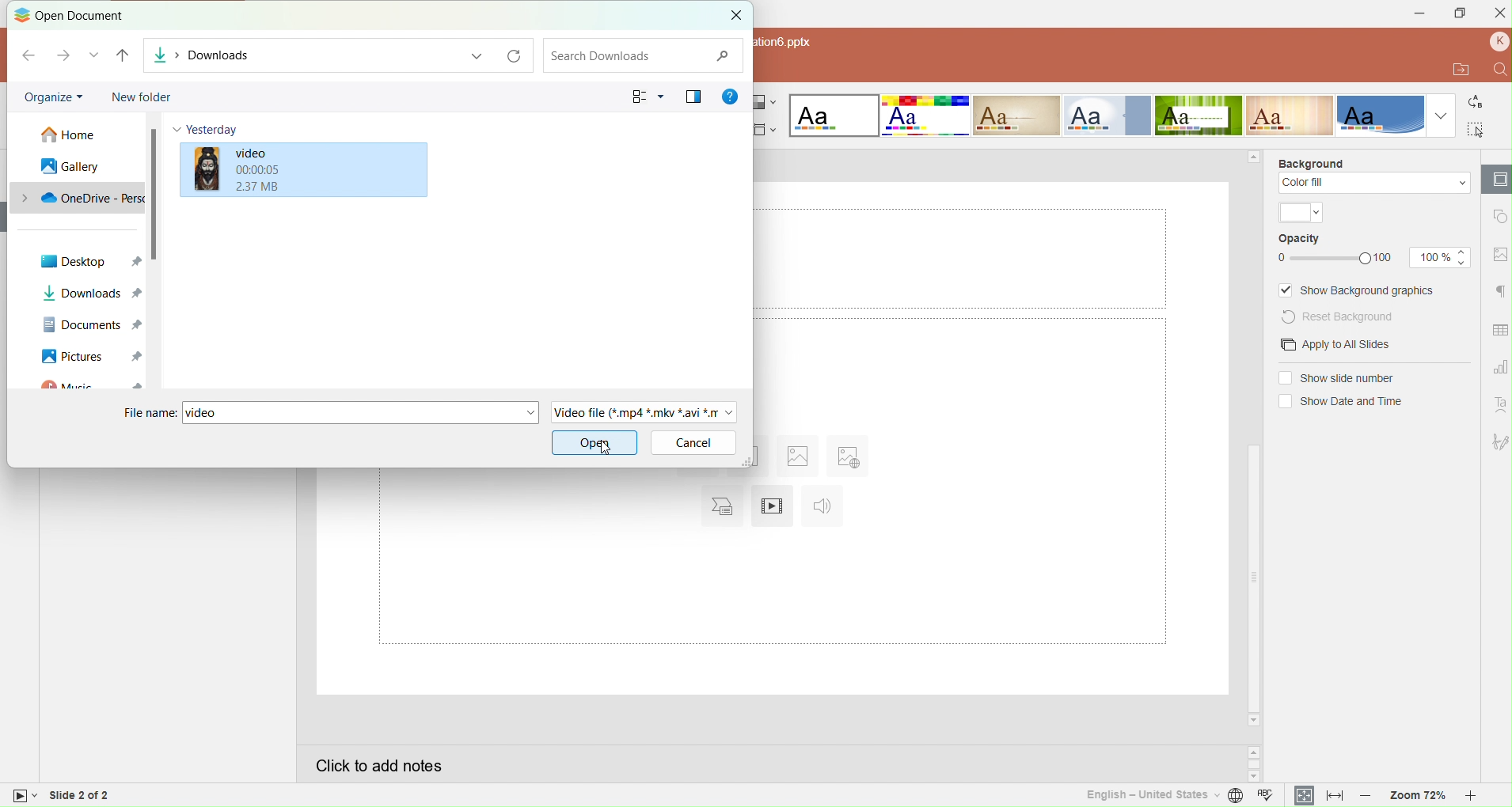  I want to click on Change your view, so click(647, 95).